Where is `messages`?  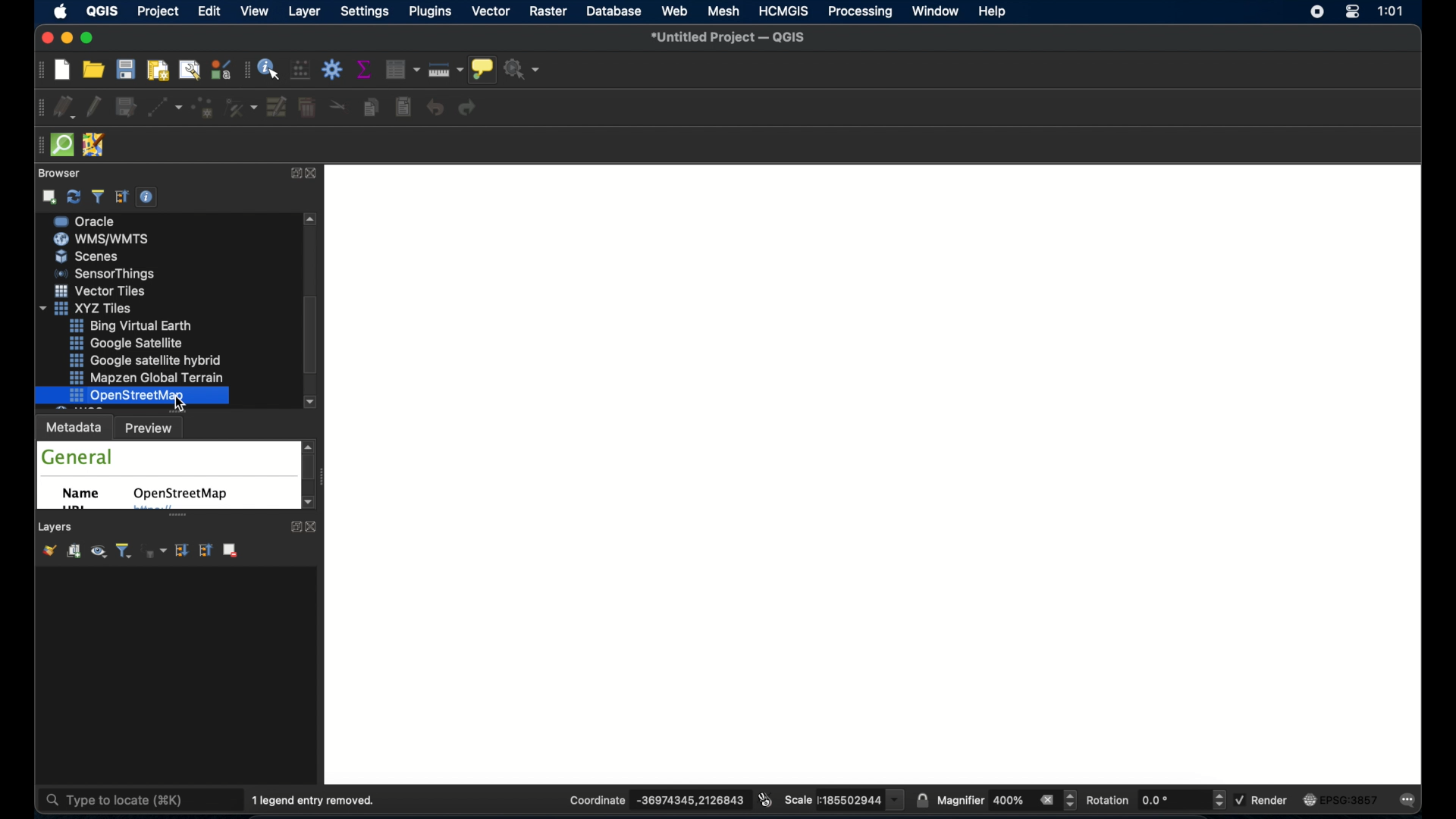 messages is located at coordinates (1411, 799).